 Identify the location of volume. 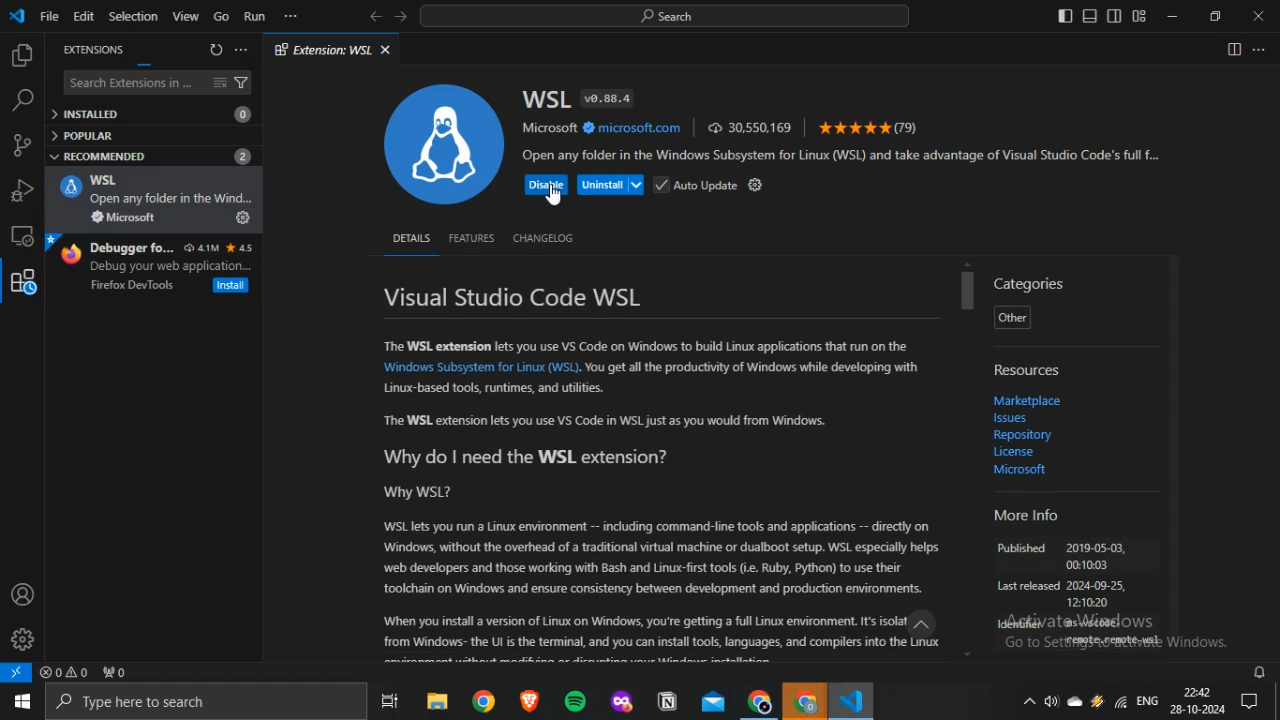
(1051, 701).